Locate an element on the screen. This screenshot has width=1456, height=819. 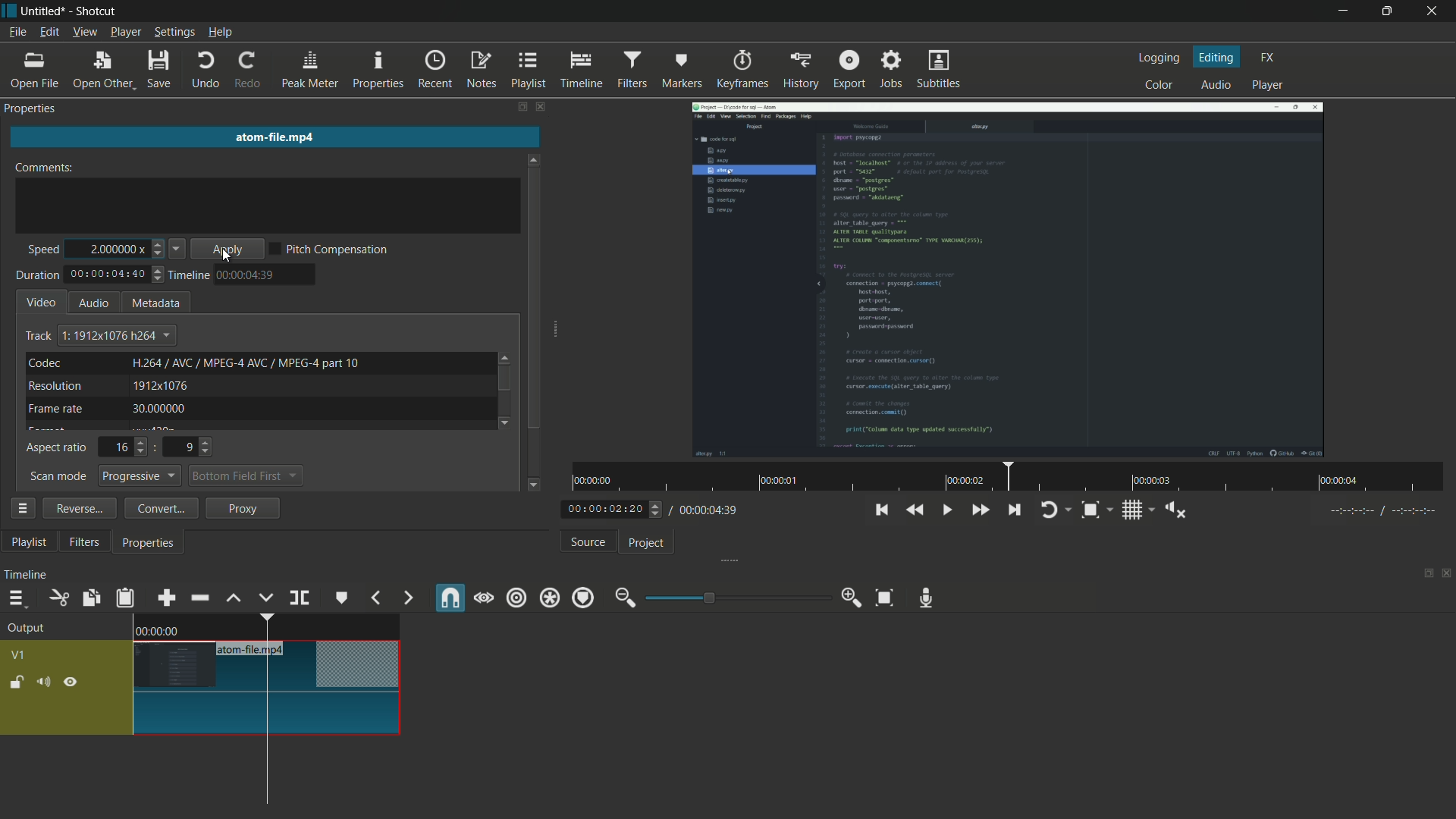
hide is located at coordinates (72, 681).